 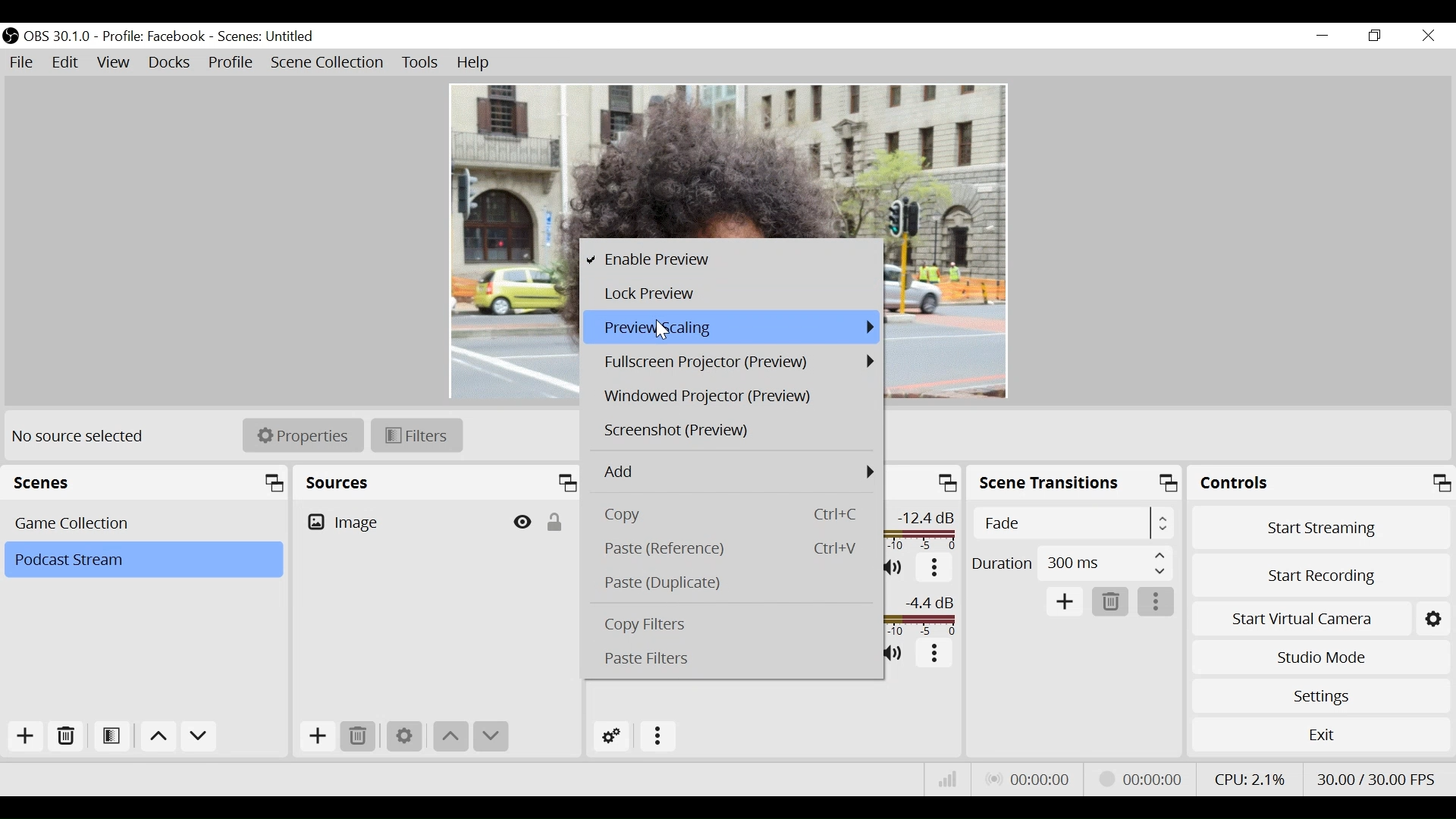 What do you see at coordinates (318, 737) in the screenshot?
I see `Add` at bounding box center [318, 737].